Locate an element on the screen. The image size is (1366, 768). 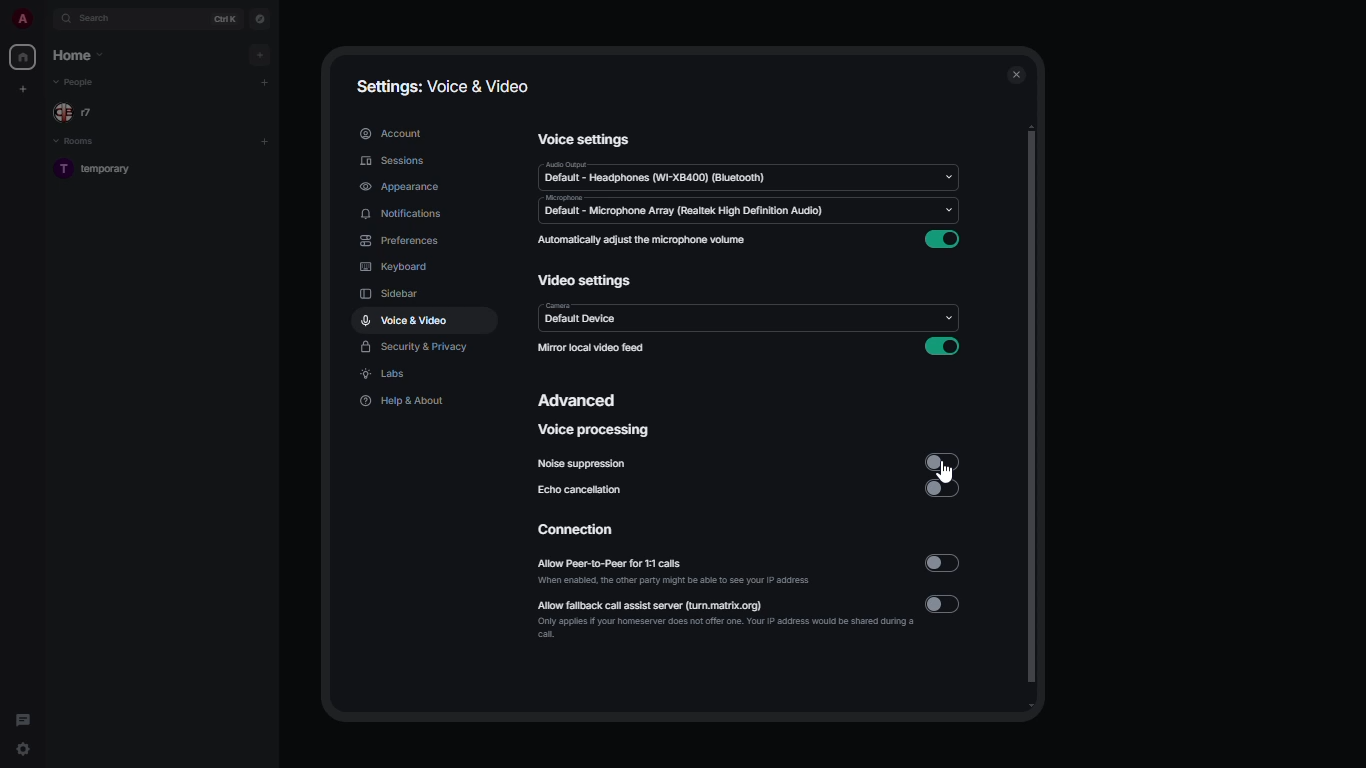
create new space is located at coordinates (24, 88).